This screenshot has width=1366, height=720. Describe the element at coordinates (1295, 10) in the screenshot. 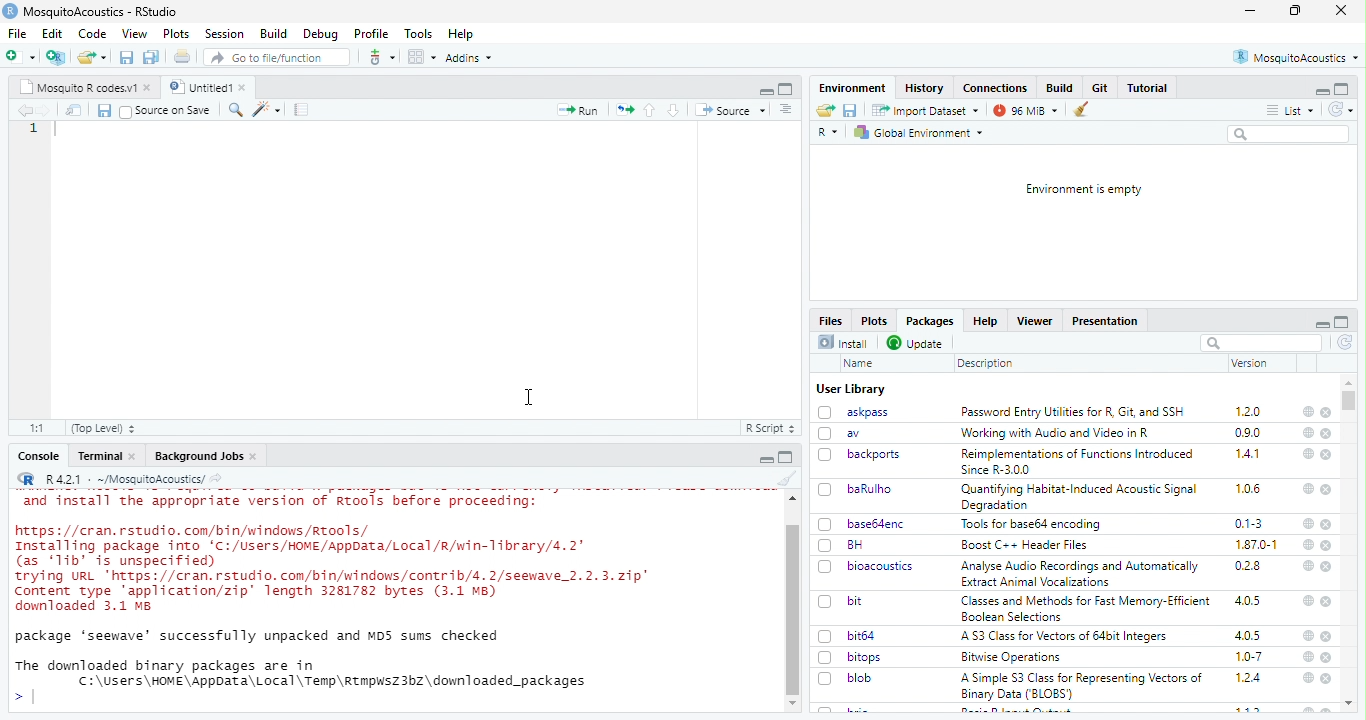

I see `maximise` at that location.